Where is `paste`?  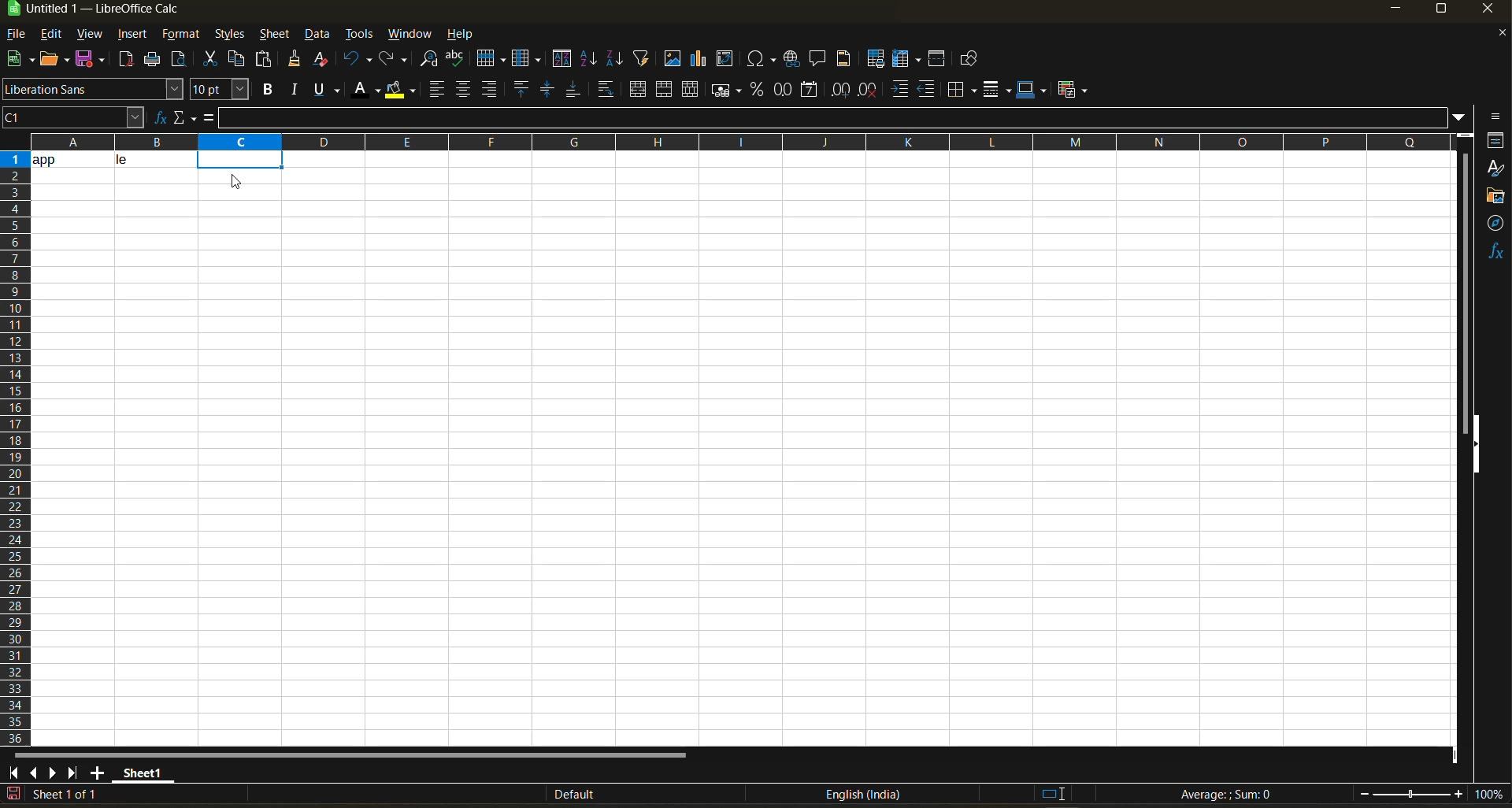
paste is located at coordinates (265, 61).